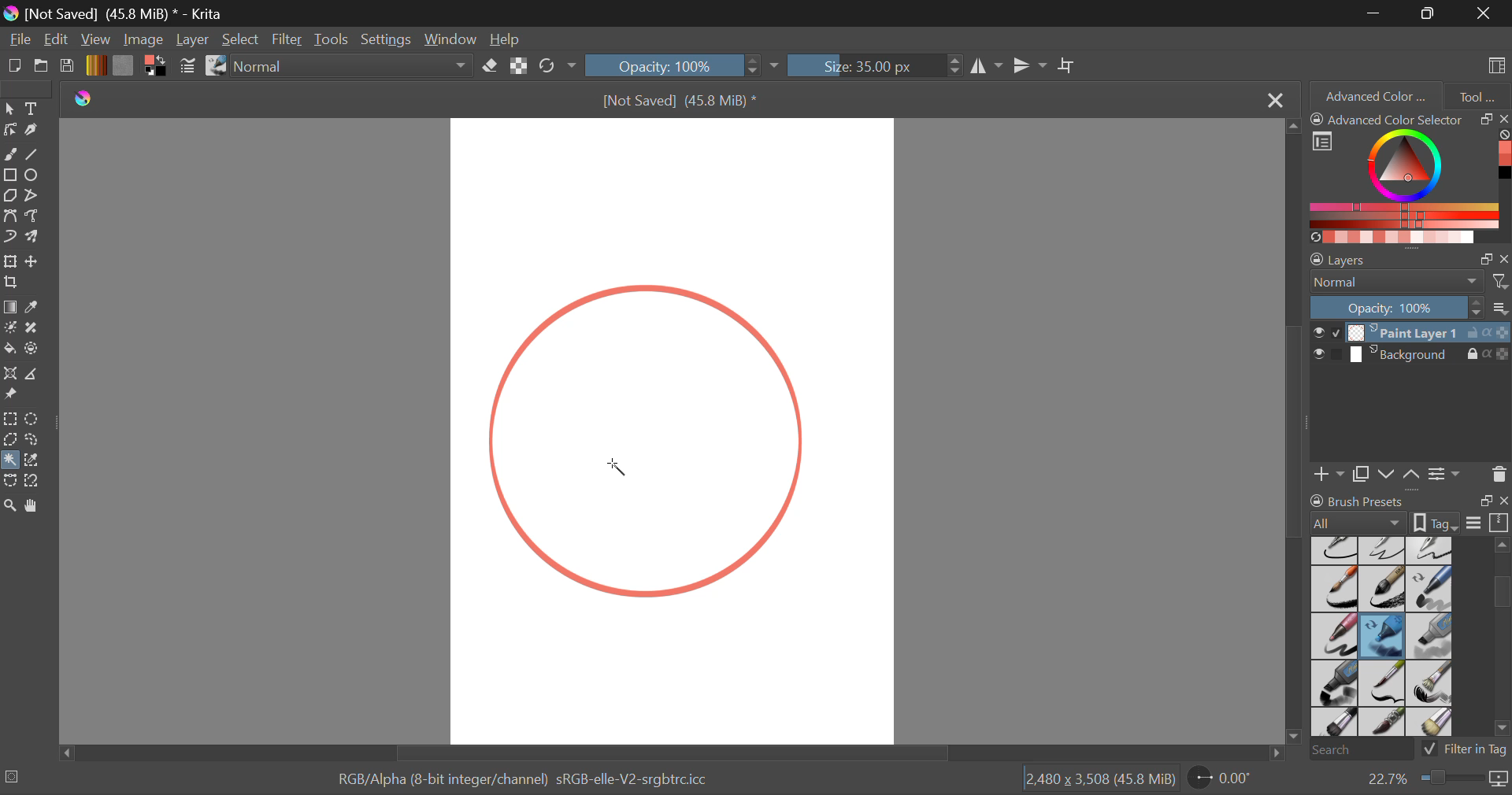  What do you see at coordinates (1484, 13) in the screenshot?
I see `Close` at bounding box center [1484, 13].